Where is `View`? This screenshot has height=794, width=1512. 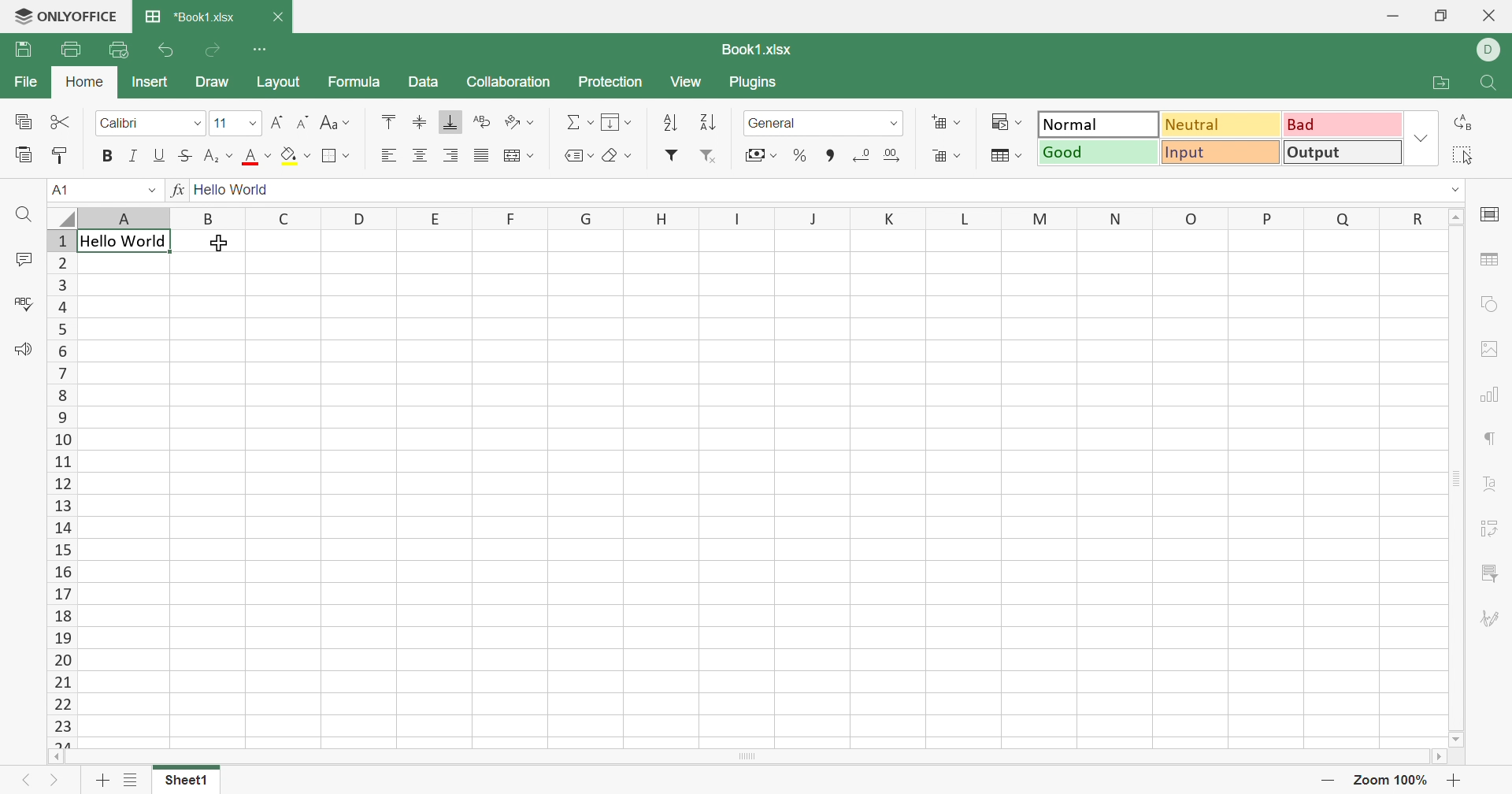
View is located at coordinates (689, 82).